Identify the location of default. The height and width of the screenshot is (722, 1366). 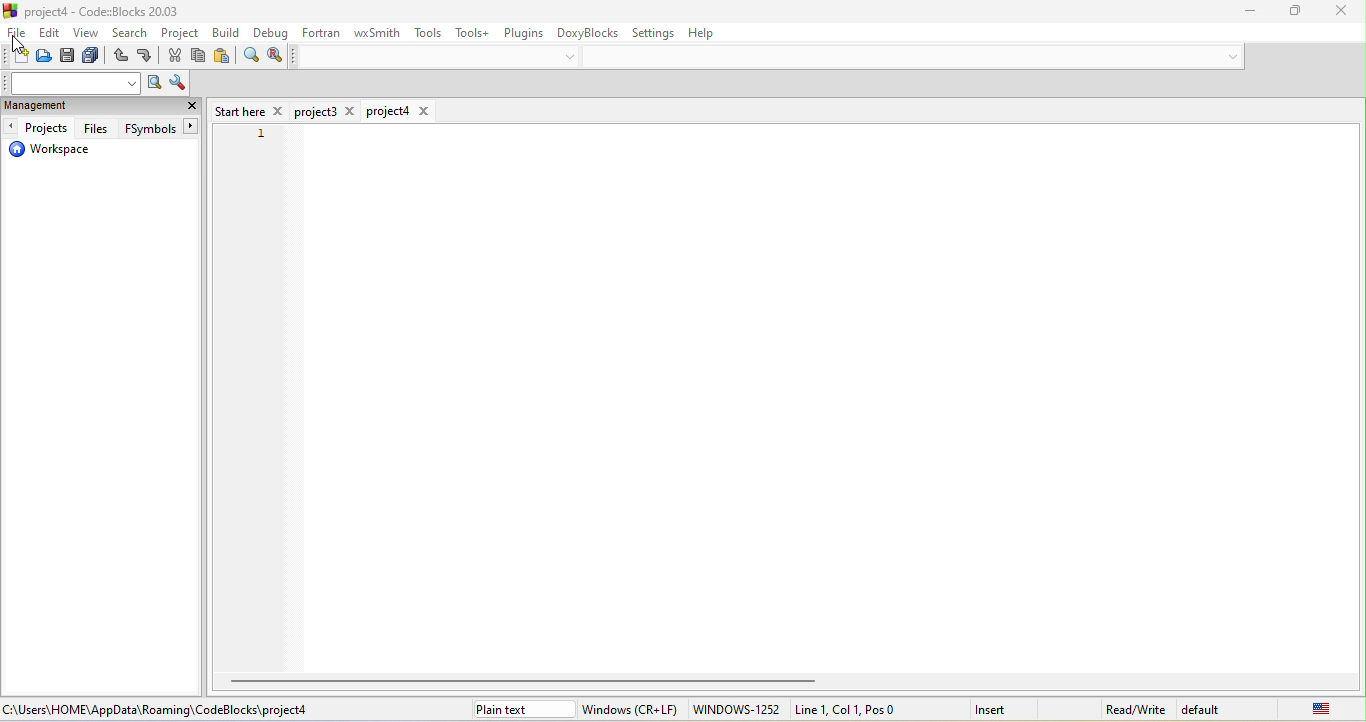
(1211, 709).